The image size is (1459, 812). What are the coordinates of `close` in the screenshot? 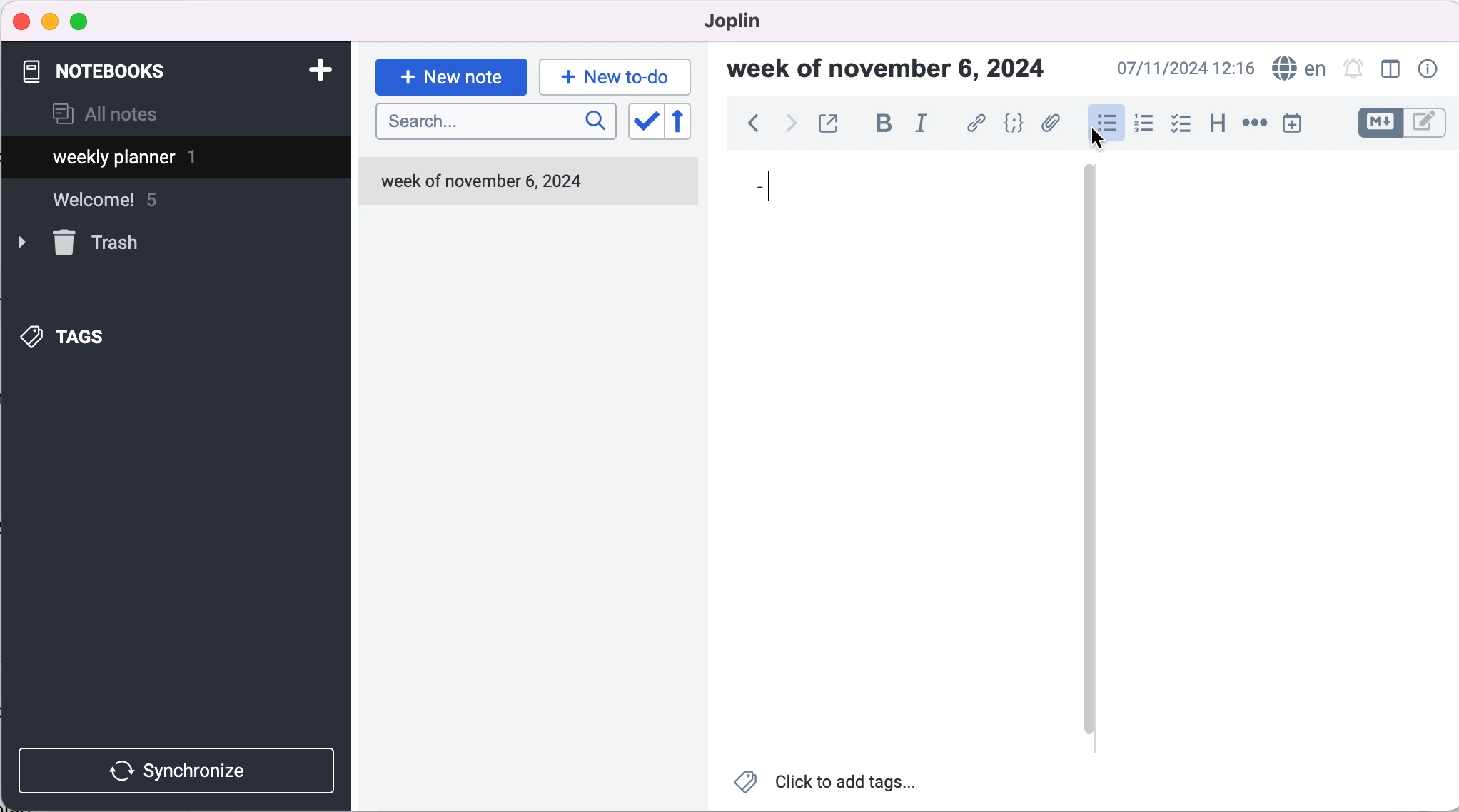 It's located at (22, 21).